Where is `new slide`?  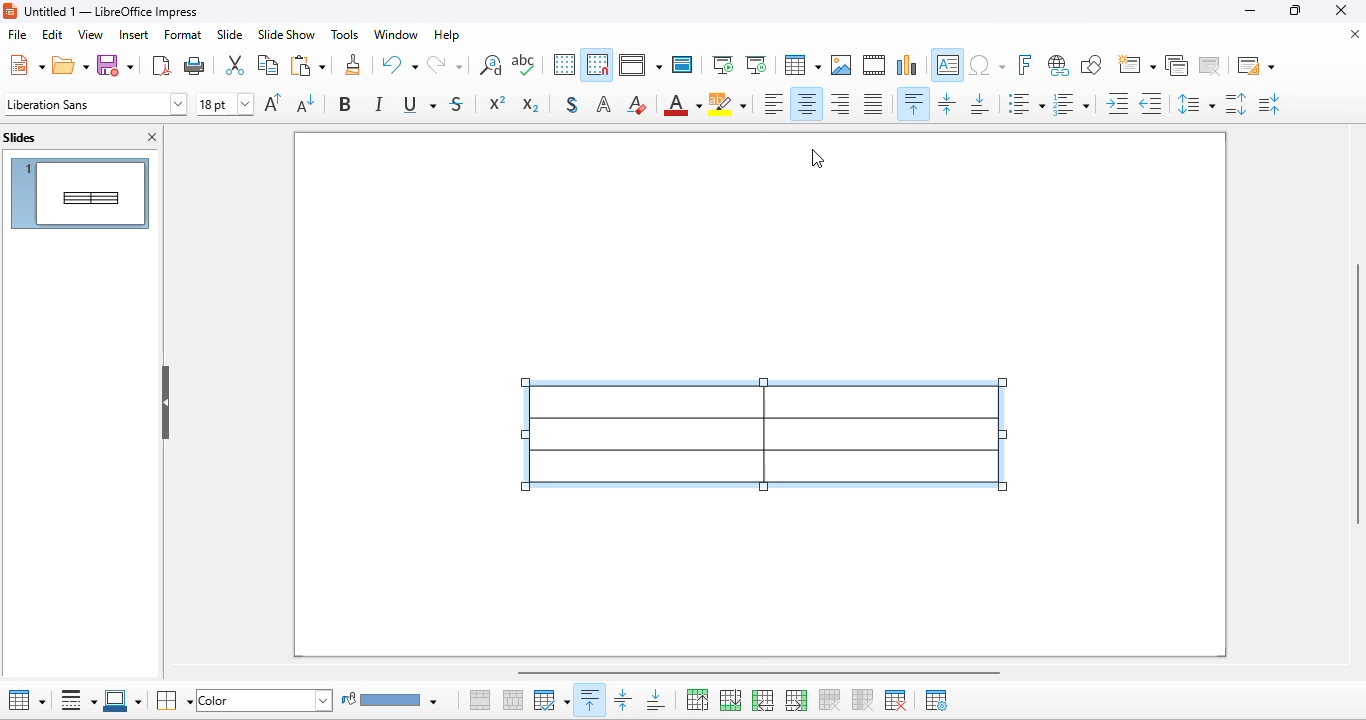
new slide is located at coordinates (1135, 64).